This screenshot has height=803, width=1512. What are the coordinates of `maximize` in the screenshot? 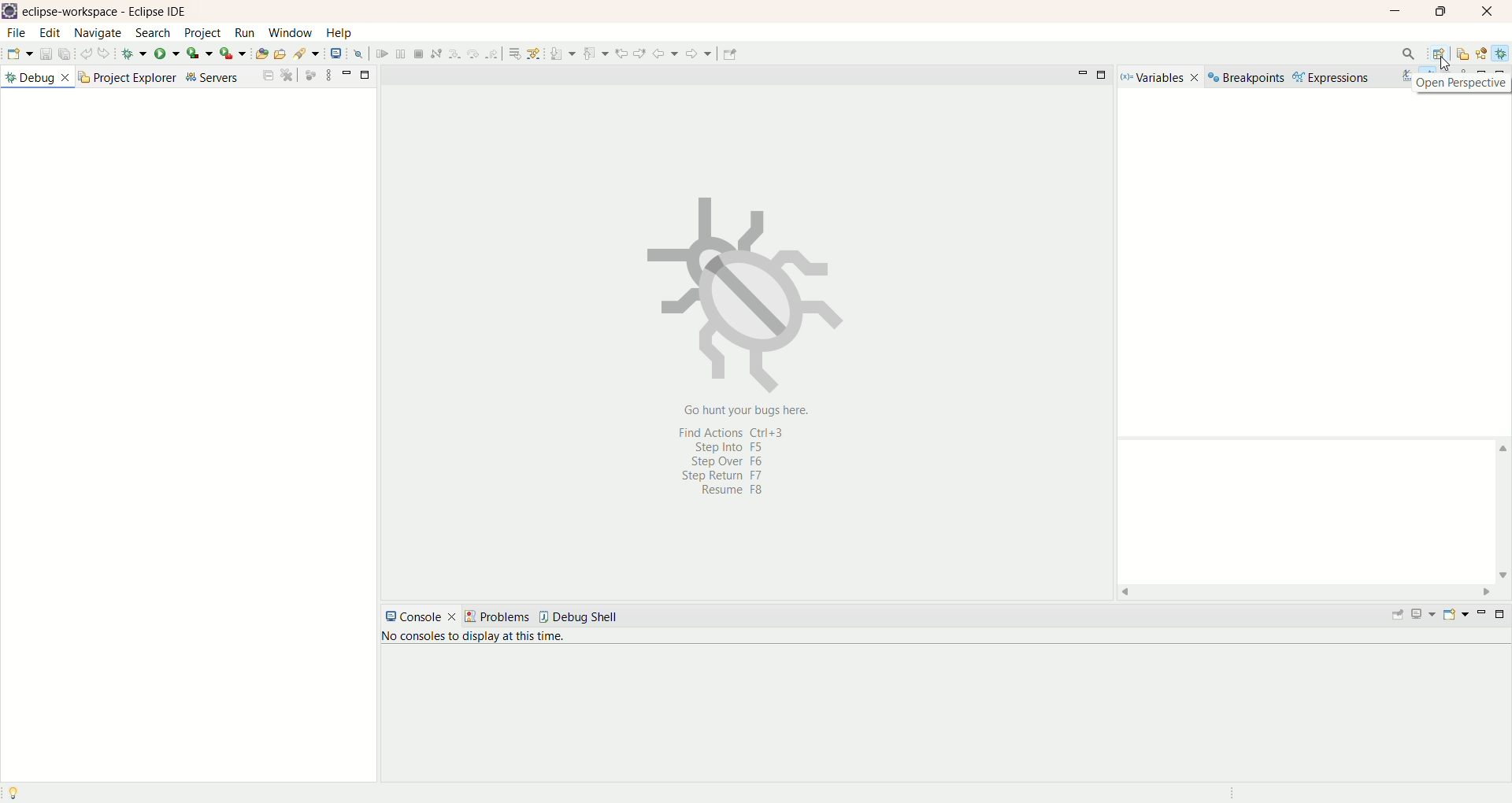 It's located at (1104, 77).